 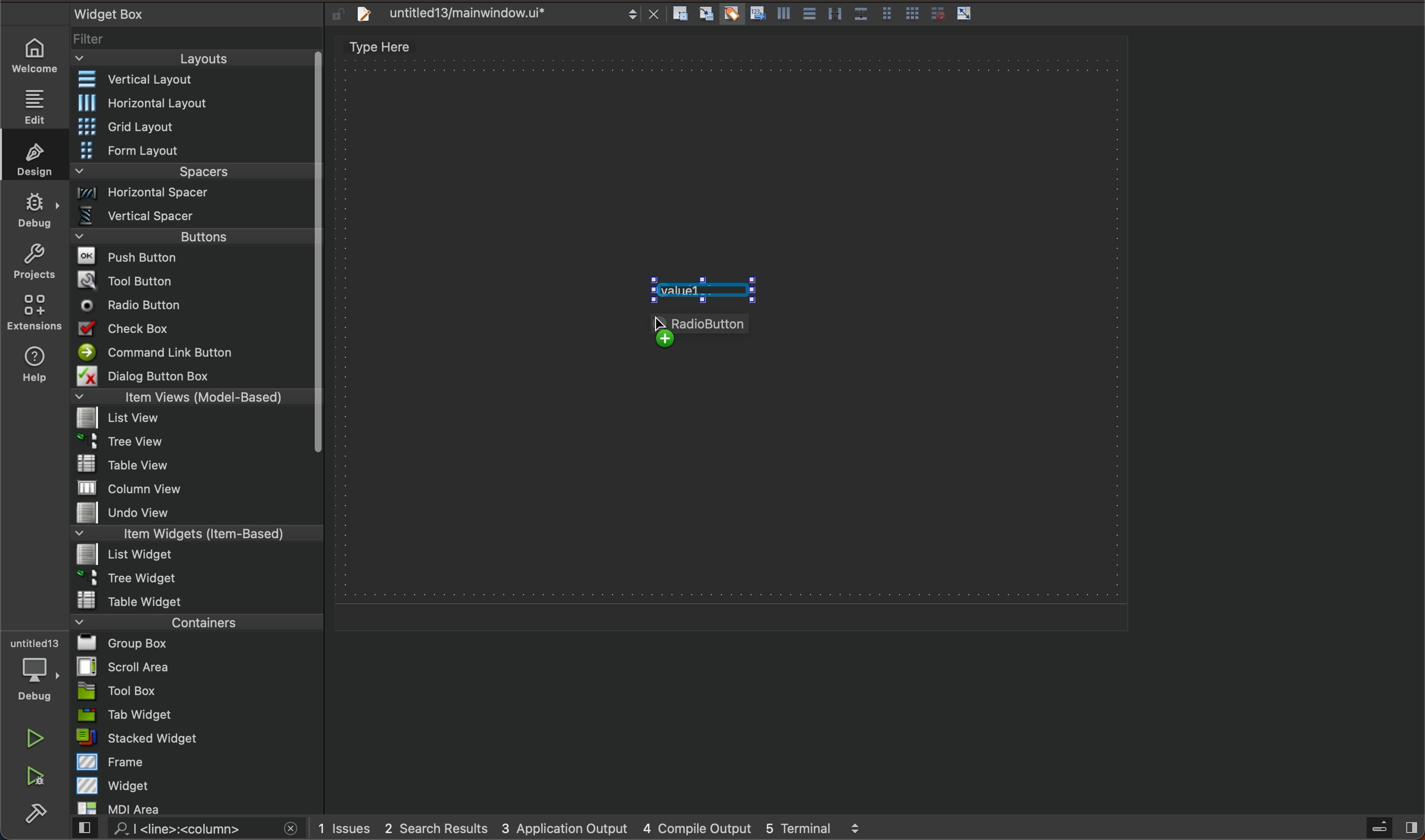 I want to click on , so click(x=913, y=15).